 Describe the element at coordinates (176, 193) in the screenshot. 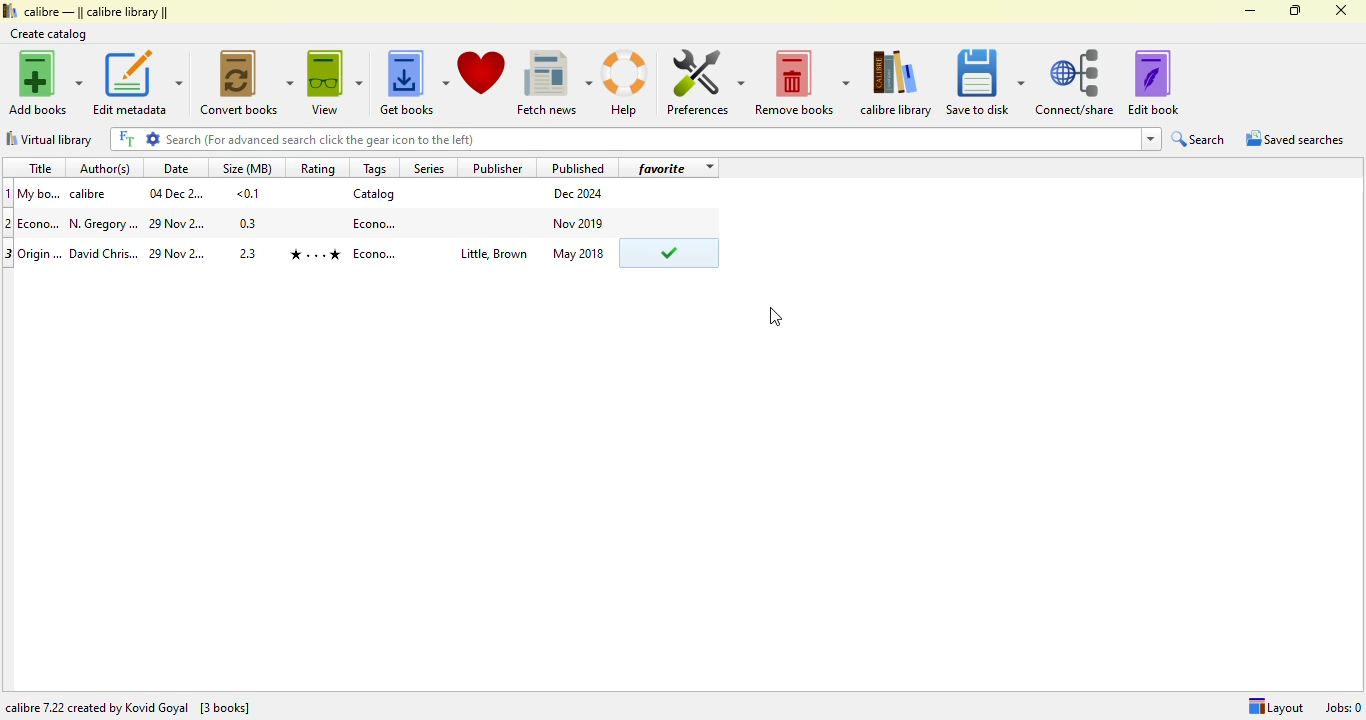

I see `date` at that location.